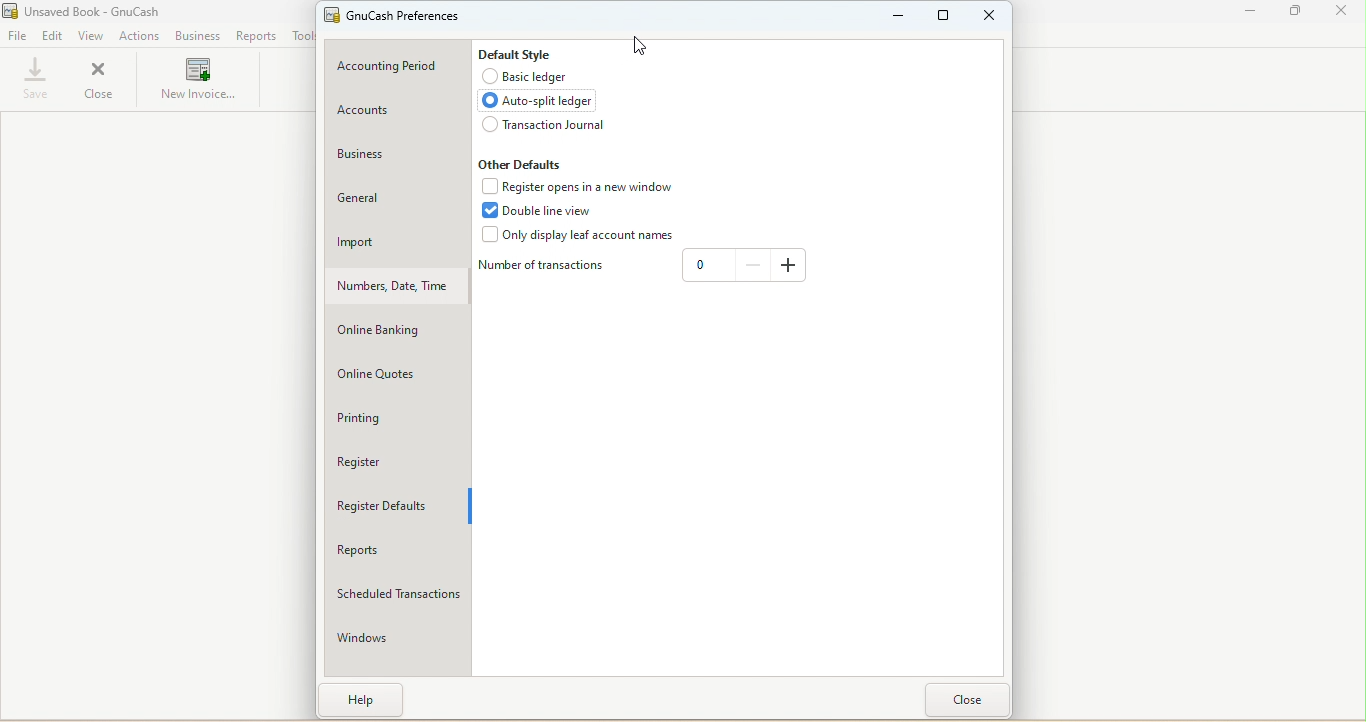  Describe the element at coordinates (403, 109) in the screenshot. I see `Accounts` at that location.